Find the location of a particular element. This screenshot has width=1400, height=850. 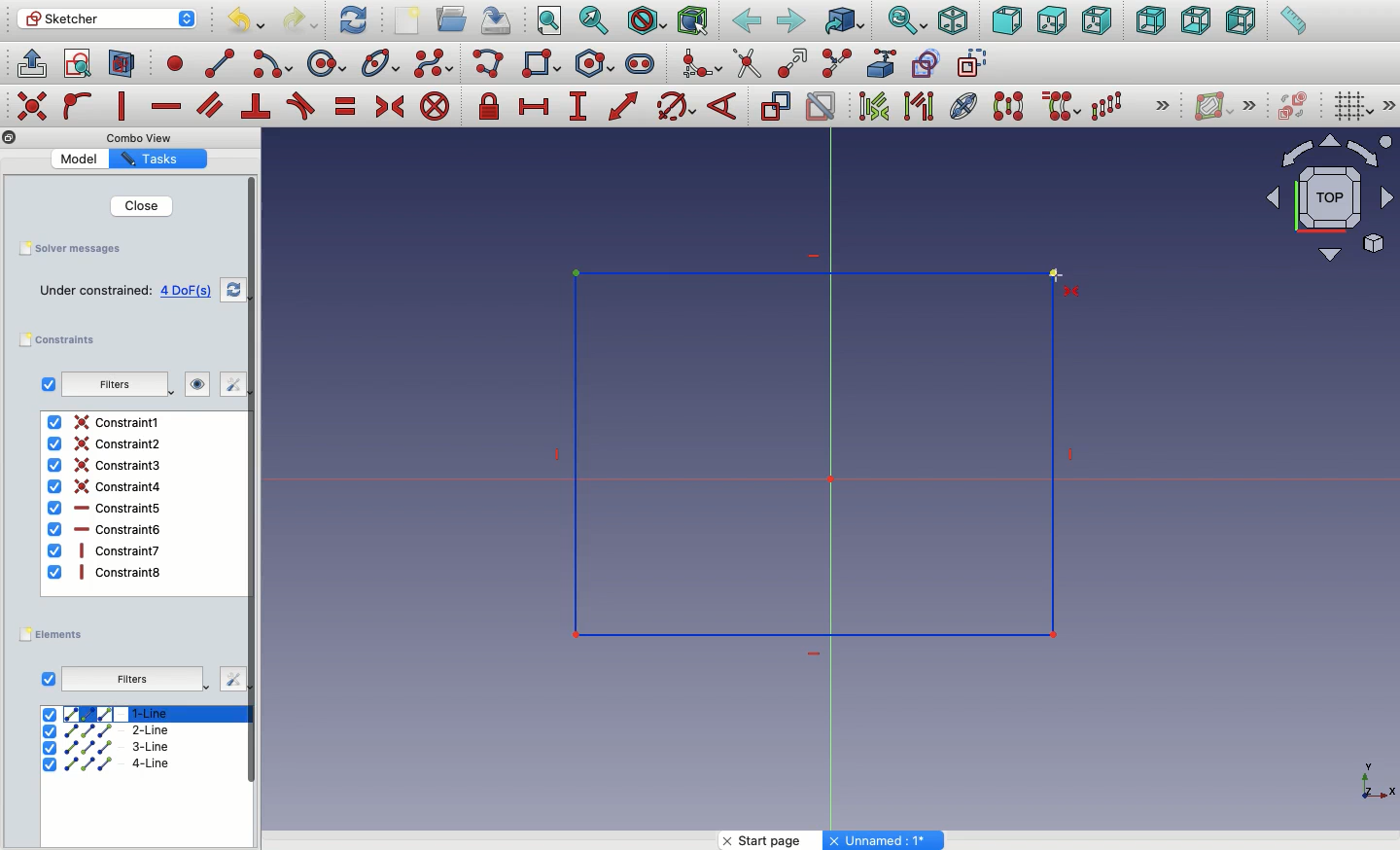

Internal geometry  is located at coordinates (964, 104).